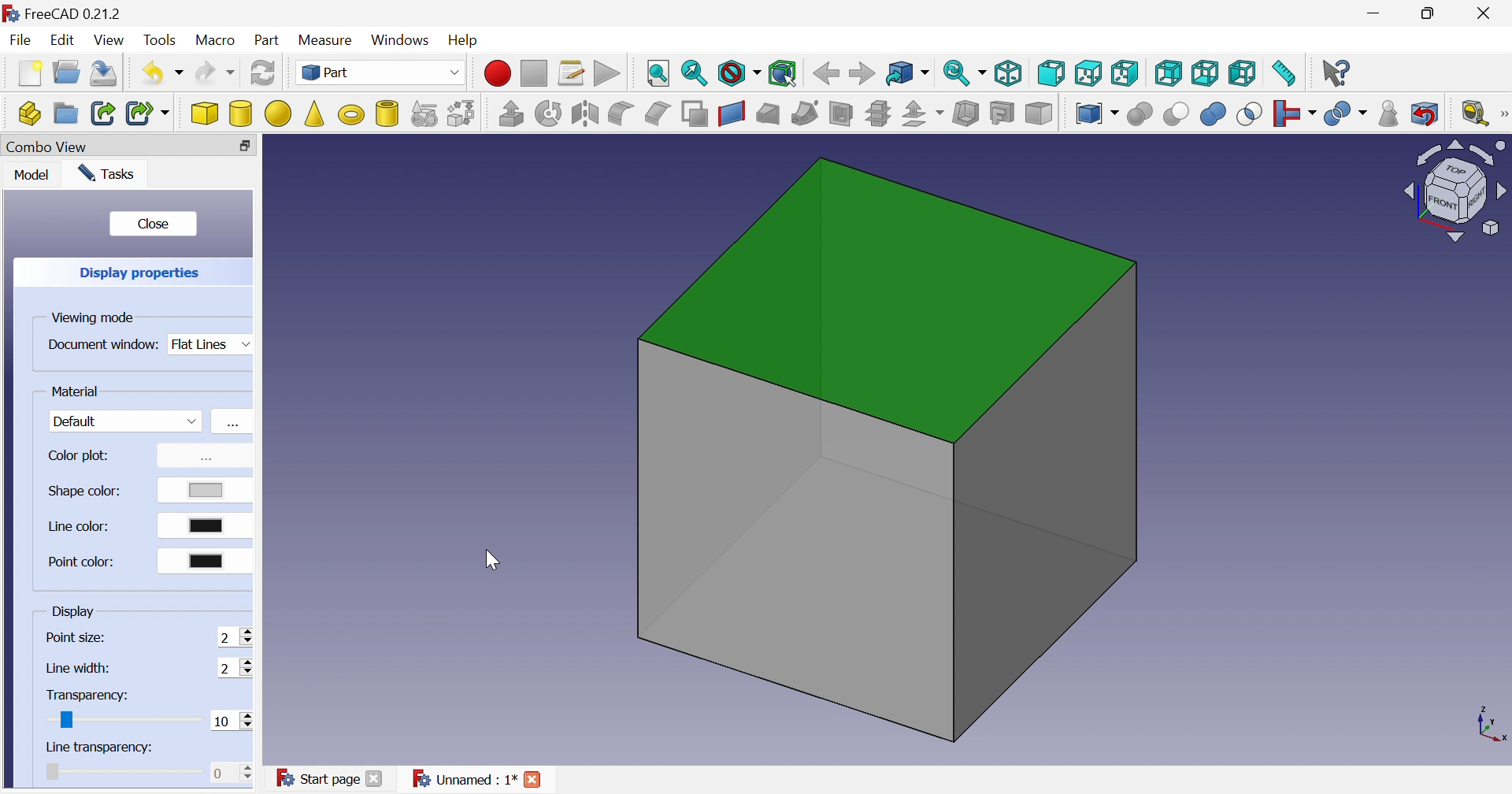  I want to click on Select color, so click(206, 525).